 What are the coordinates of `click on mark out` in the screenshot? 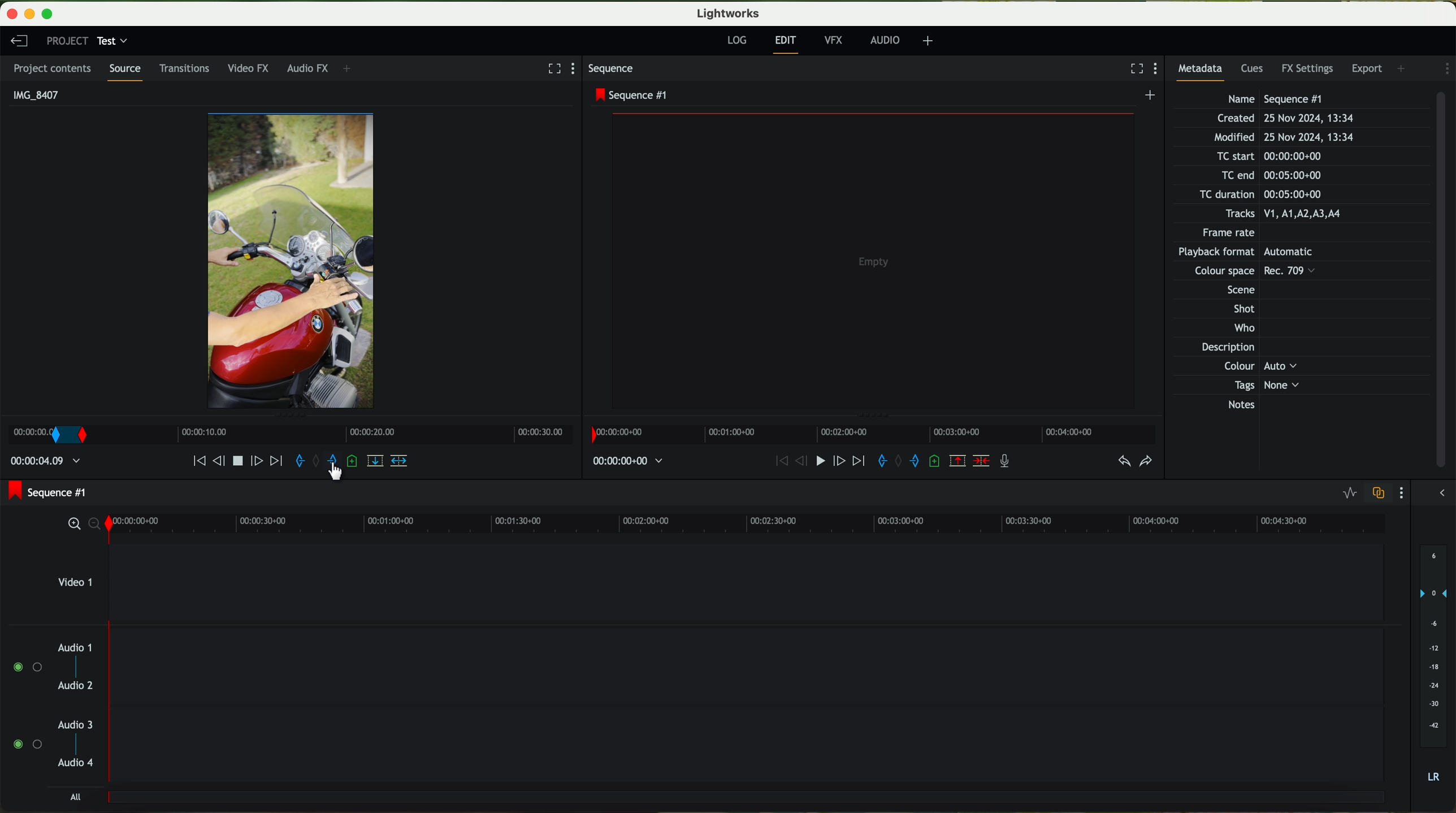 It's located at (337, 467).